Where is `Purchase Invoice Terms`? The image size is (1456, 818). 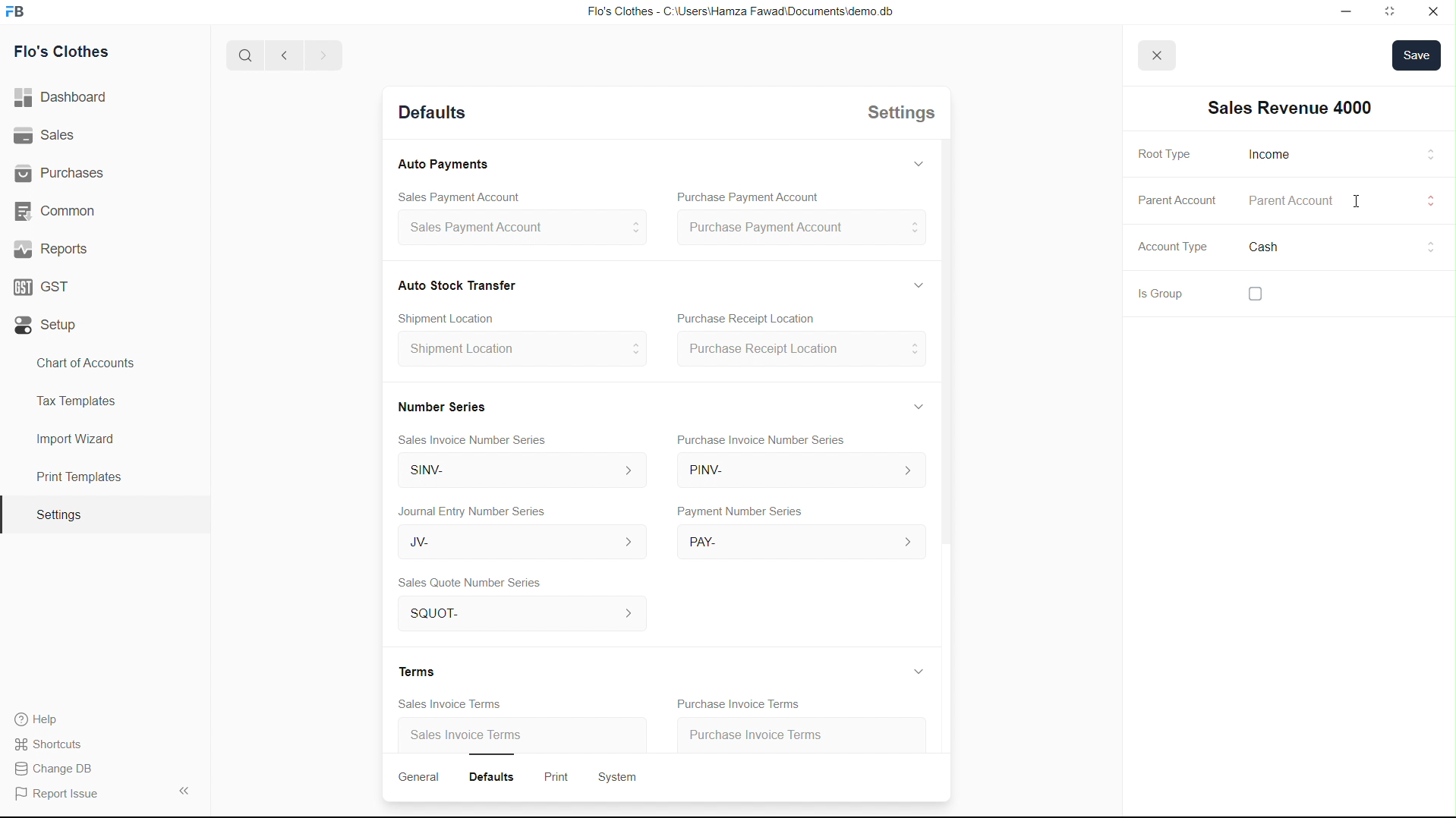 Purchase Invoice Terms is located at coordinates (735, 702).